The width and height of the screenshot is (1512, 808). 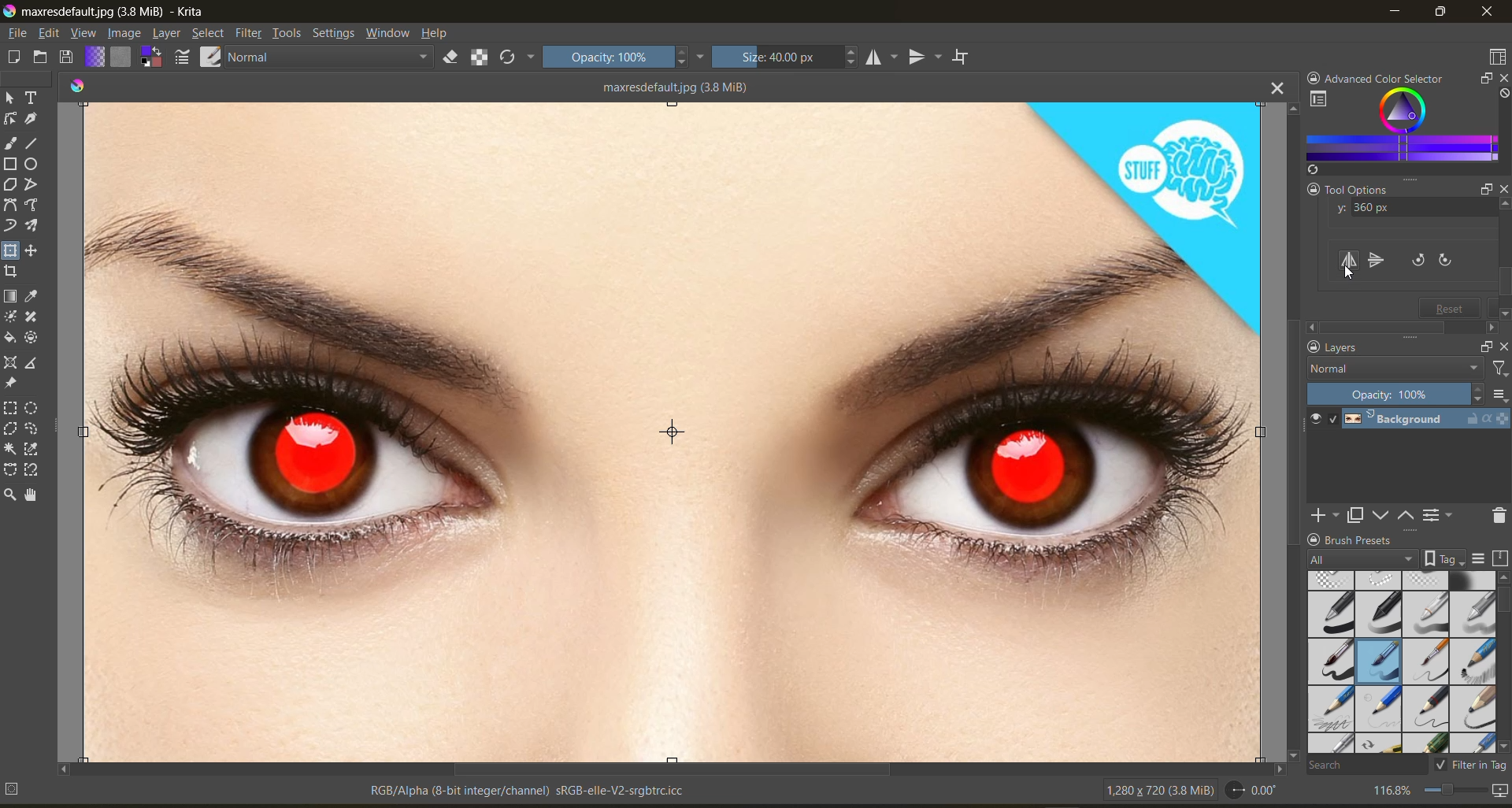 I want to click on opacity, so click(x=1397, y=394).